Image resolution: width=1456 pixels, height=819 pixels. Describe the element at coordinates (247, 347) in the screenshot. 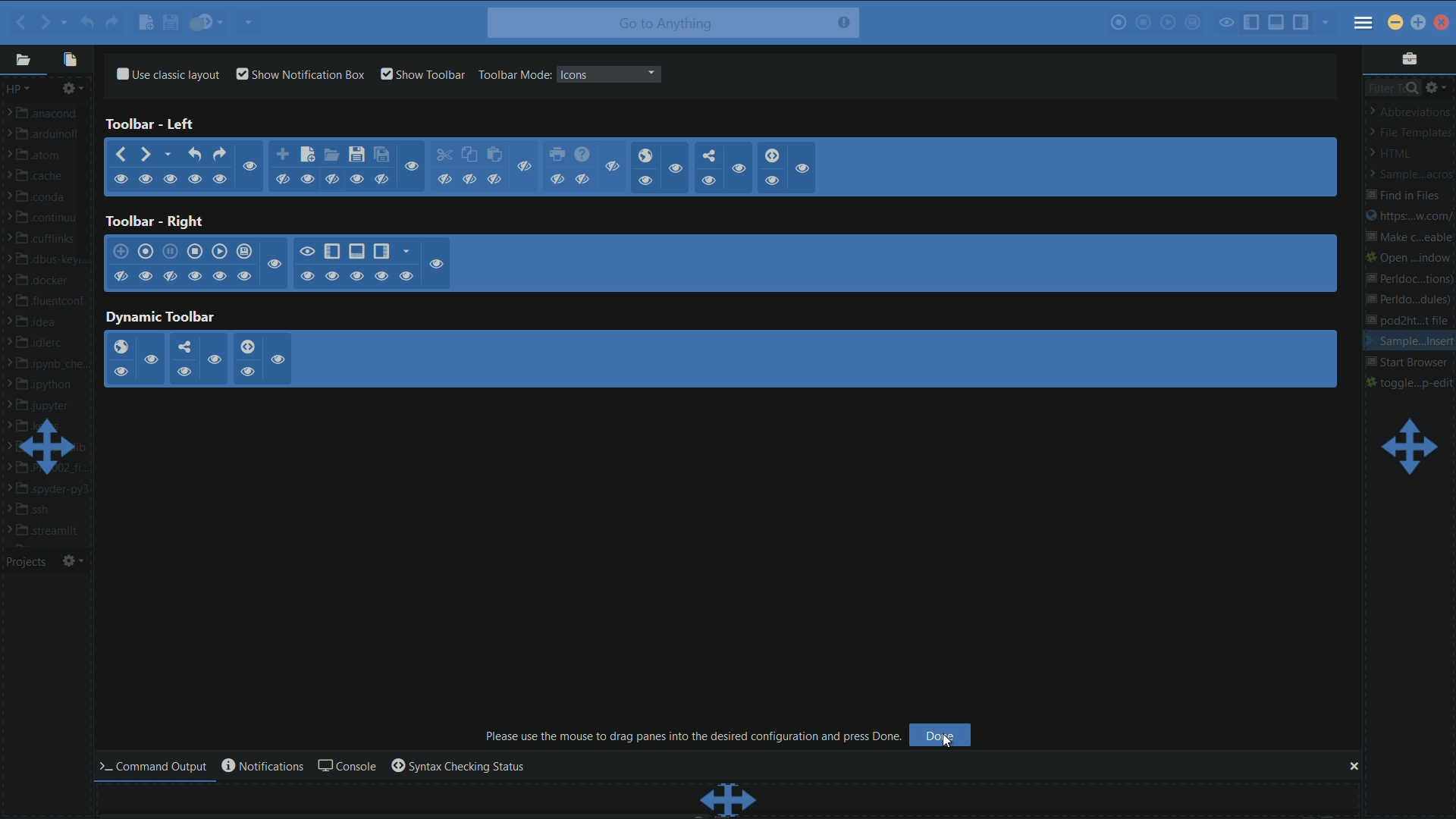

I see `jump to next syntax checking result` at that location.